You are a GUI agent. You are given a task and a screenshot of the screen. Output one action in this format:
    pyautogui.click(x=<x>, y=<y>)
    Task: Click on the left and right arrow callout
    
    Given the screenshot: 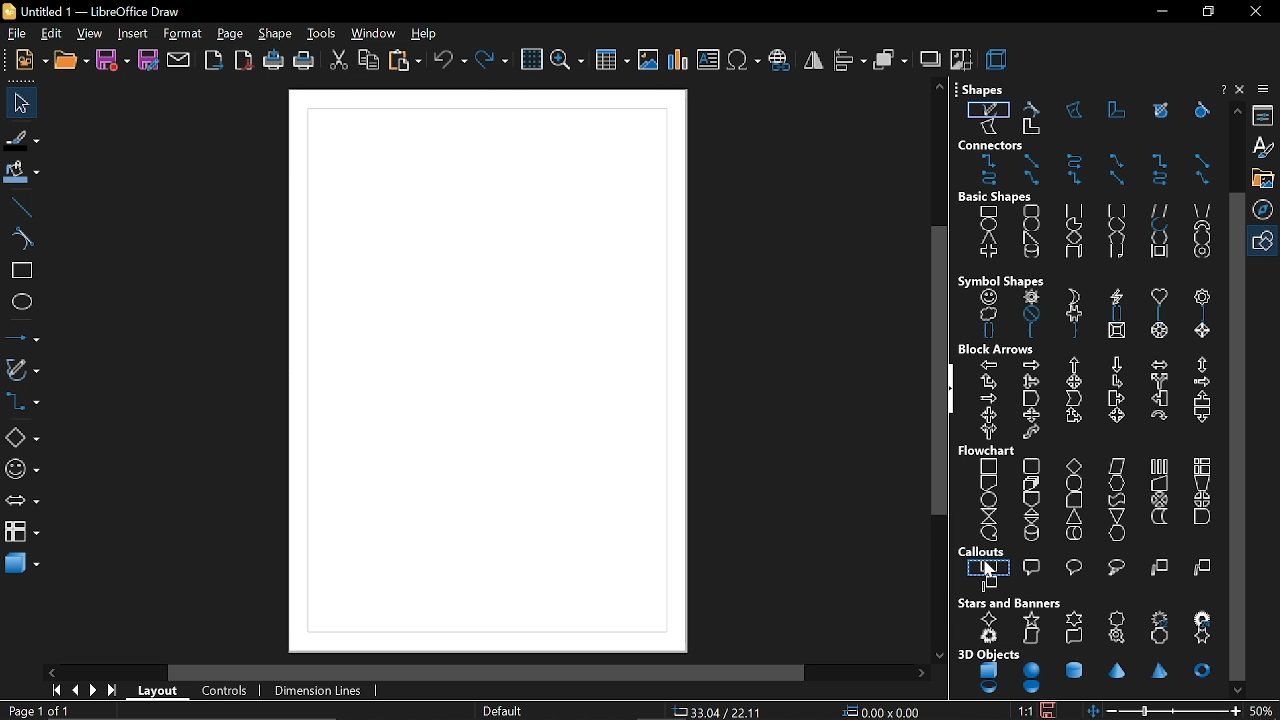 What is the action you would take?
    pyautogui.click(x=990, y=415)
    